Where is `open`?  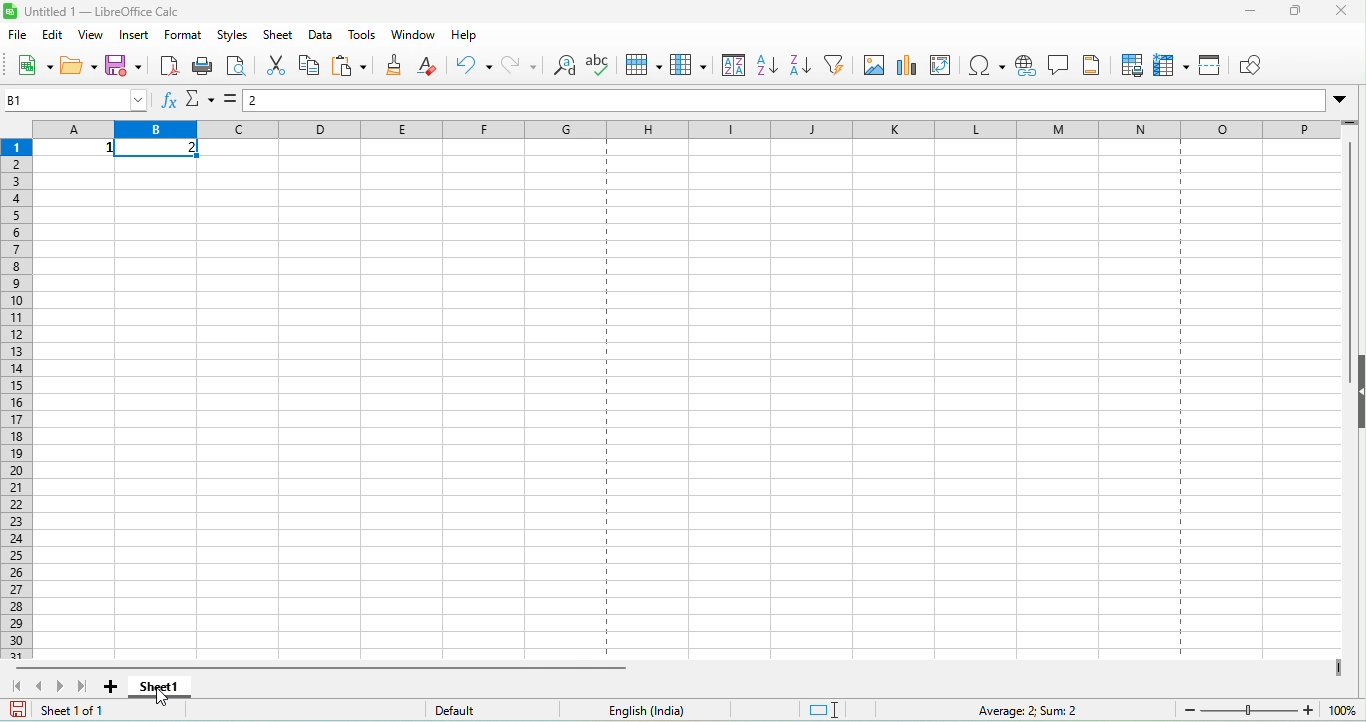 open is located at coordinates (78, 65).